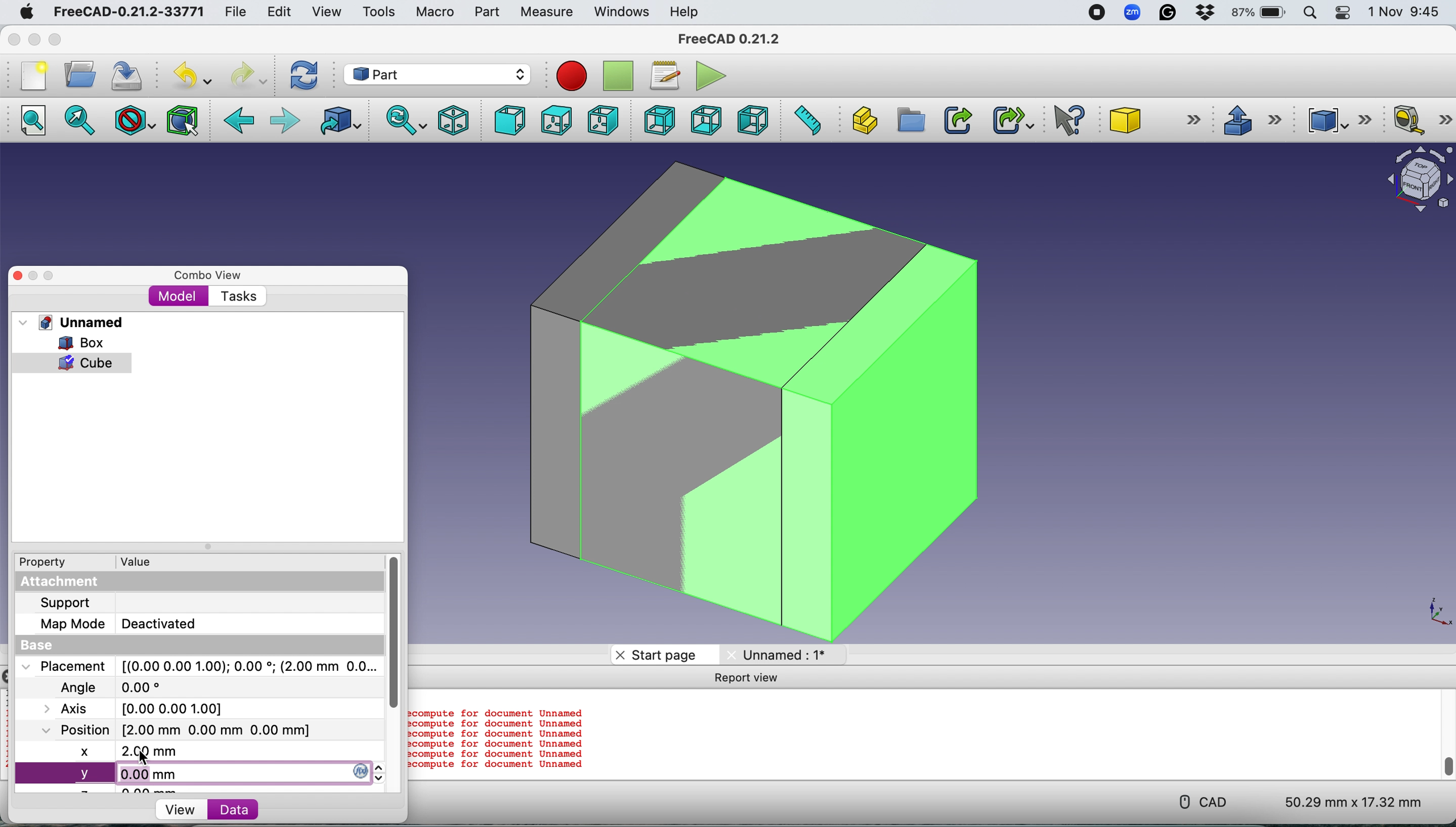 The width and height of the screenshot is (1456, 827). Describe the element at coordinates (14, 39) in the screenshot. I see `Close` at that location.